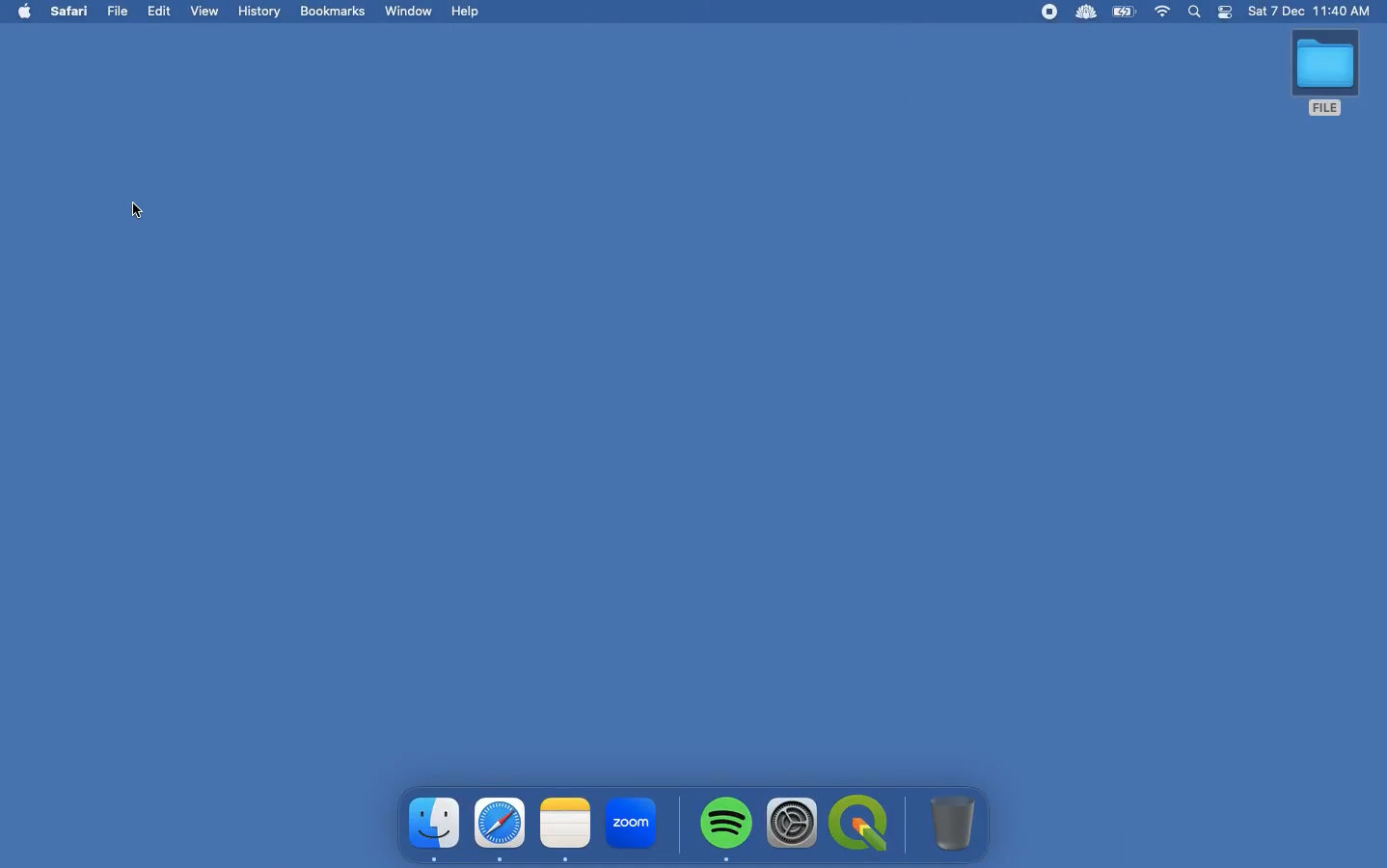 This screenshot has height=868, width=1387. I want to click on Spotify , so click(723, 828).